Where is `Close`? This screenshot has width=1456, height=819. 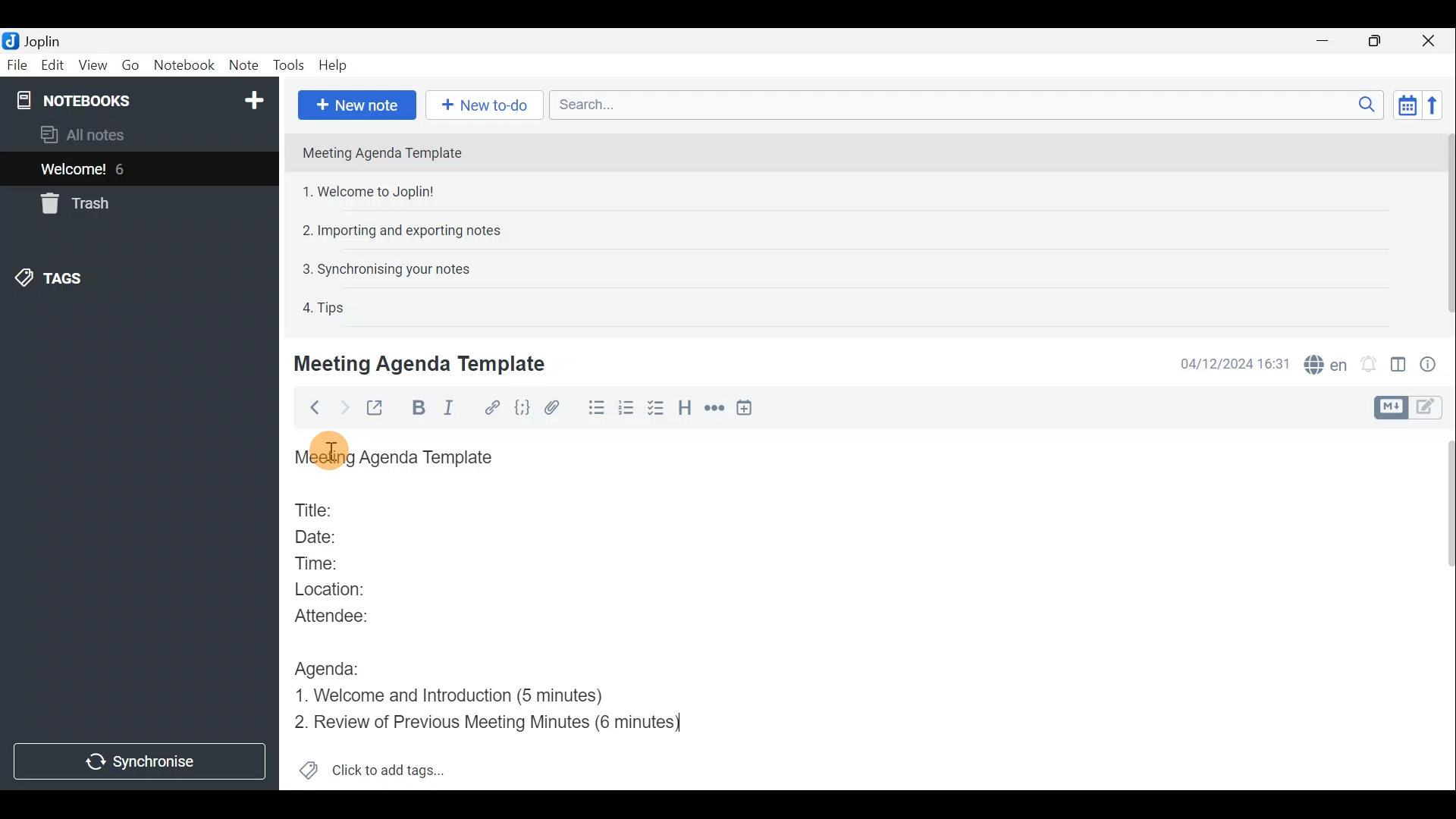
Close is located at coordinates (1429, 42).